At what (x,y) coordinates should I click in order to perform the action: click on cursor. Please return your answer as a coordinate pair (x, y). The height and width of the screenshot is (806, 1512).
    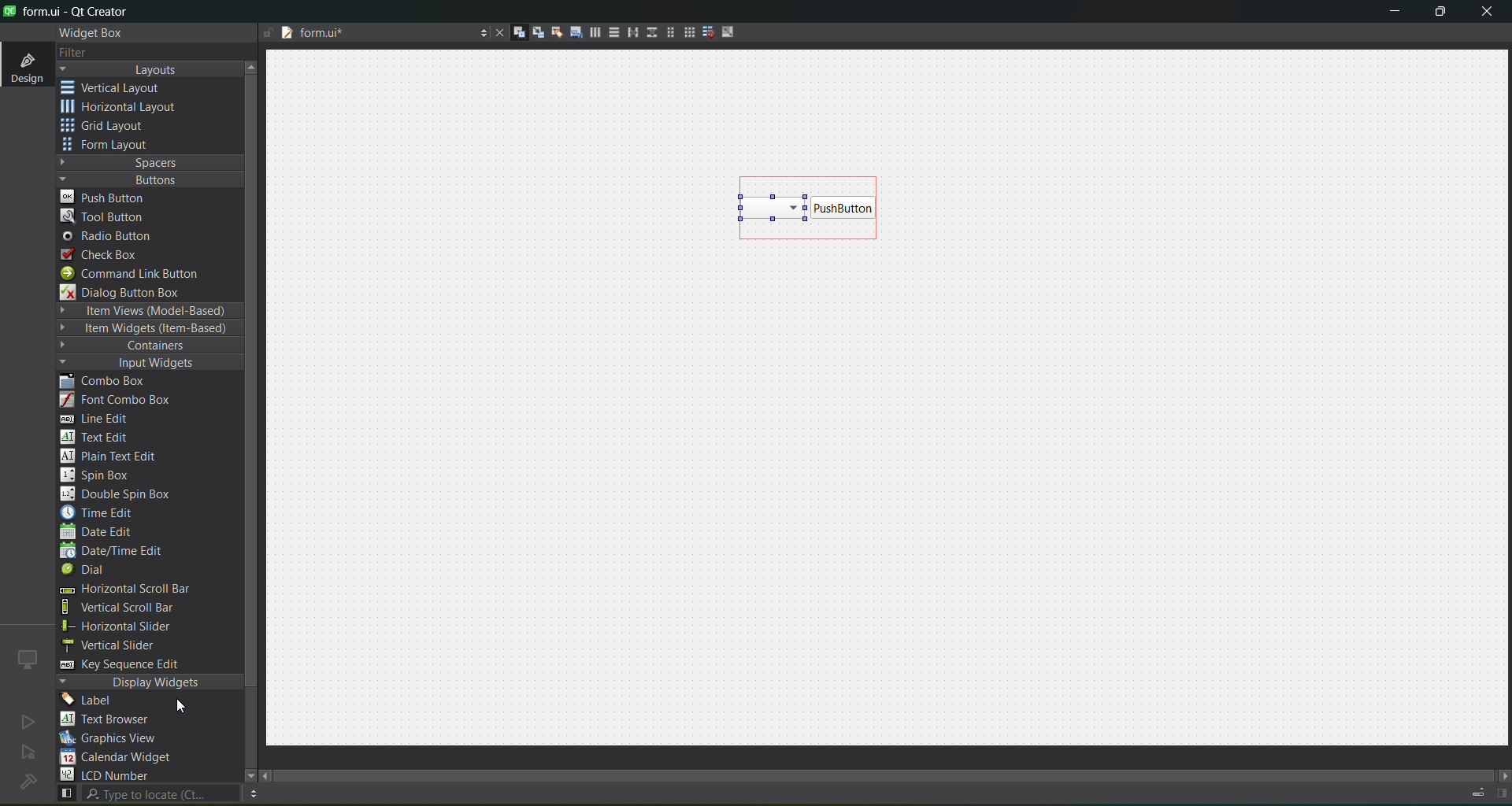
    Looking at the image, I should click on (183, 705).